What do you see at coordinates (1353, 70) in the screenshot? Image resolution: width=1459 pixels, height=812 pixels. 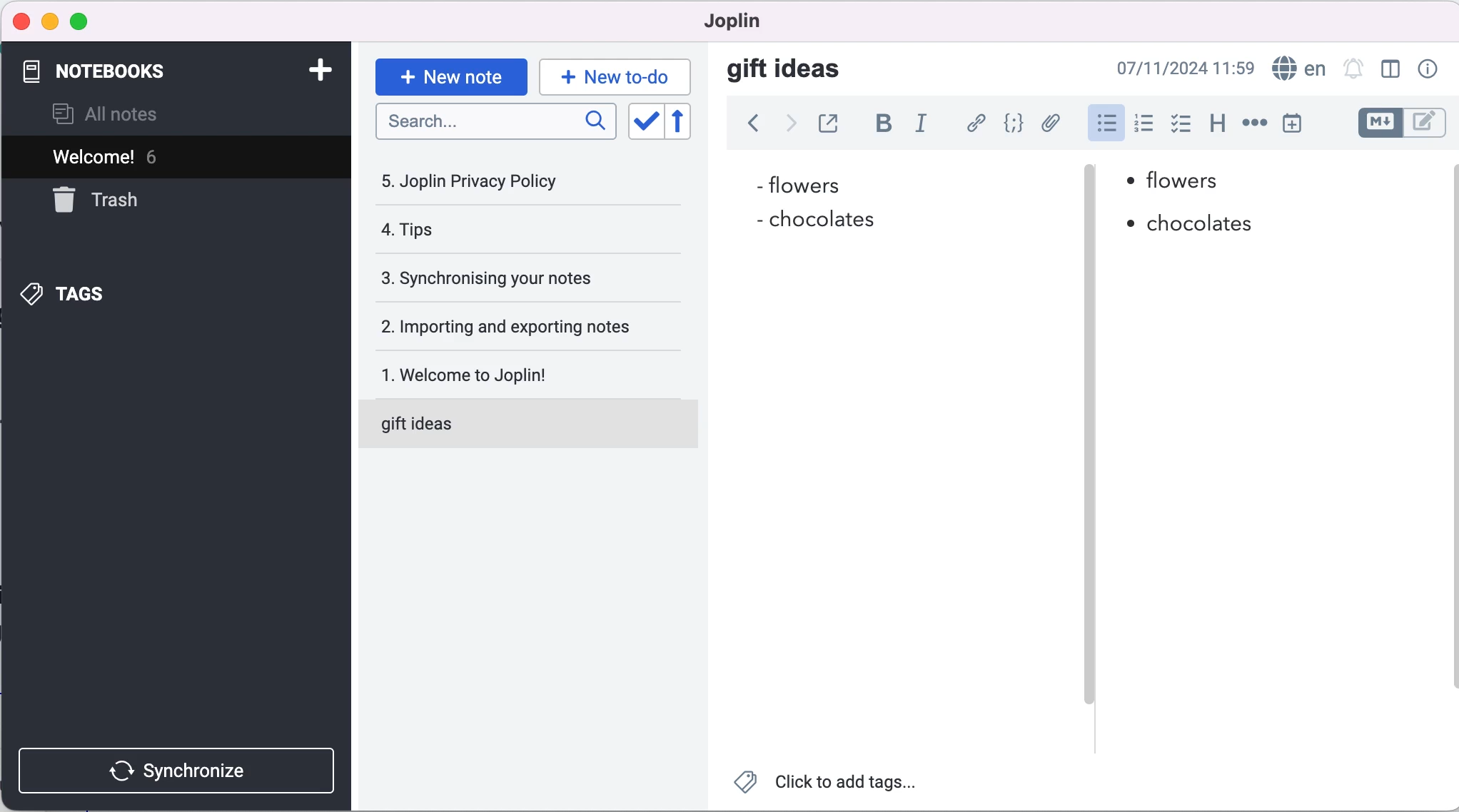 I see `set alarm` at bounding box center [1353, 70].